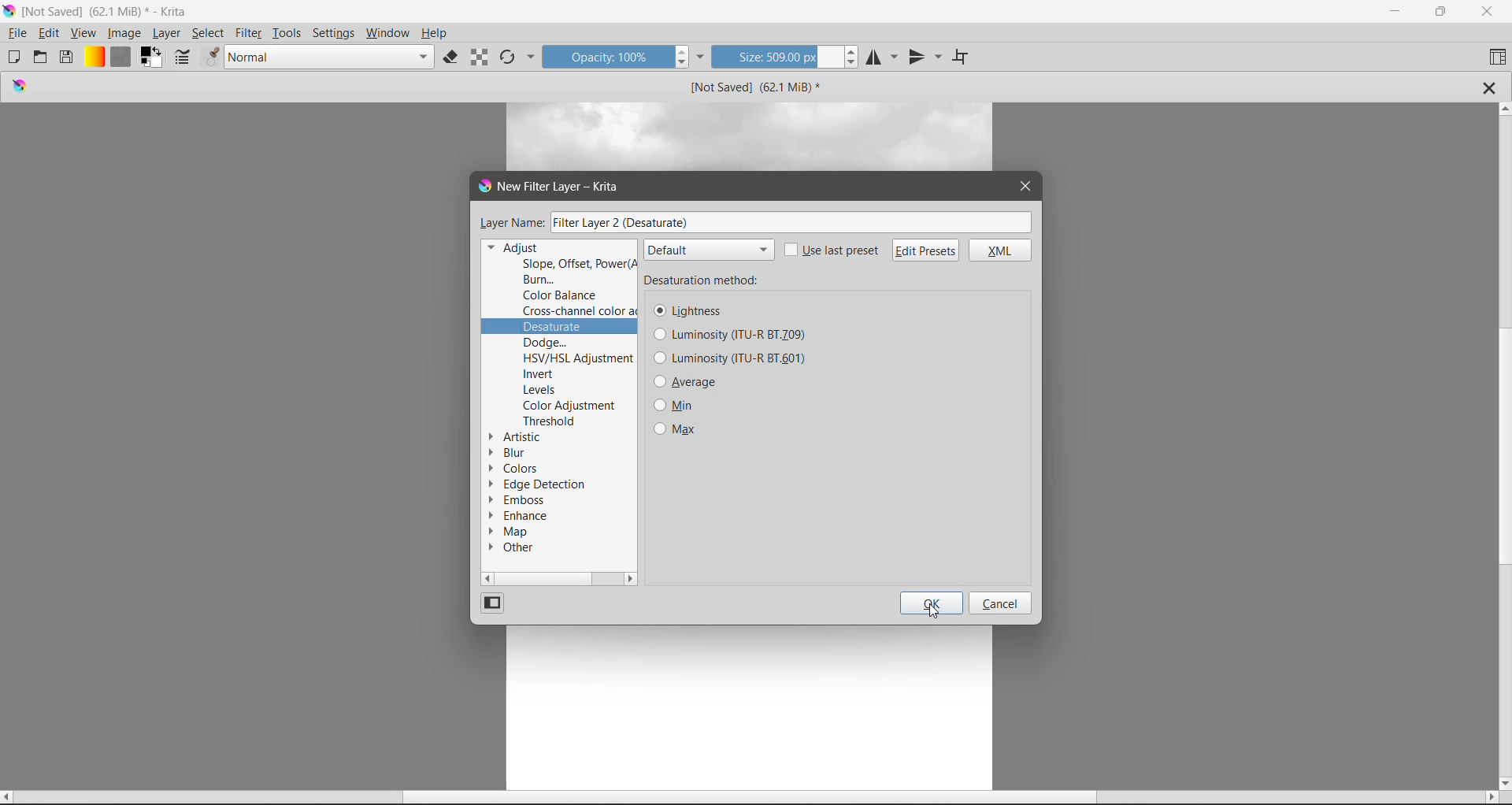  What do you see at coordinates (735, 335) in the screenshot?
I see `Luminosity (ITU-R BT_709)` at bounding box center [735, 335].